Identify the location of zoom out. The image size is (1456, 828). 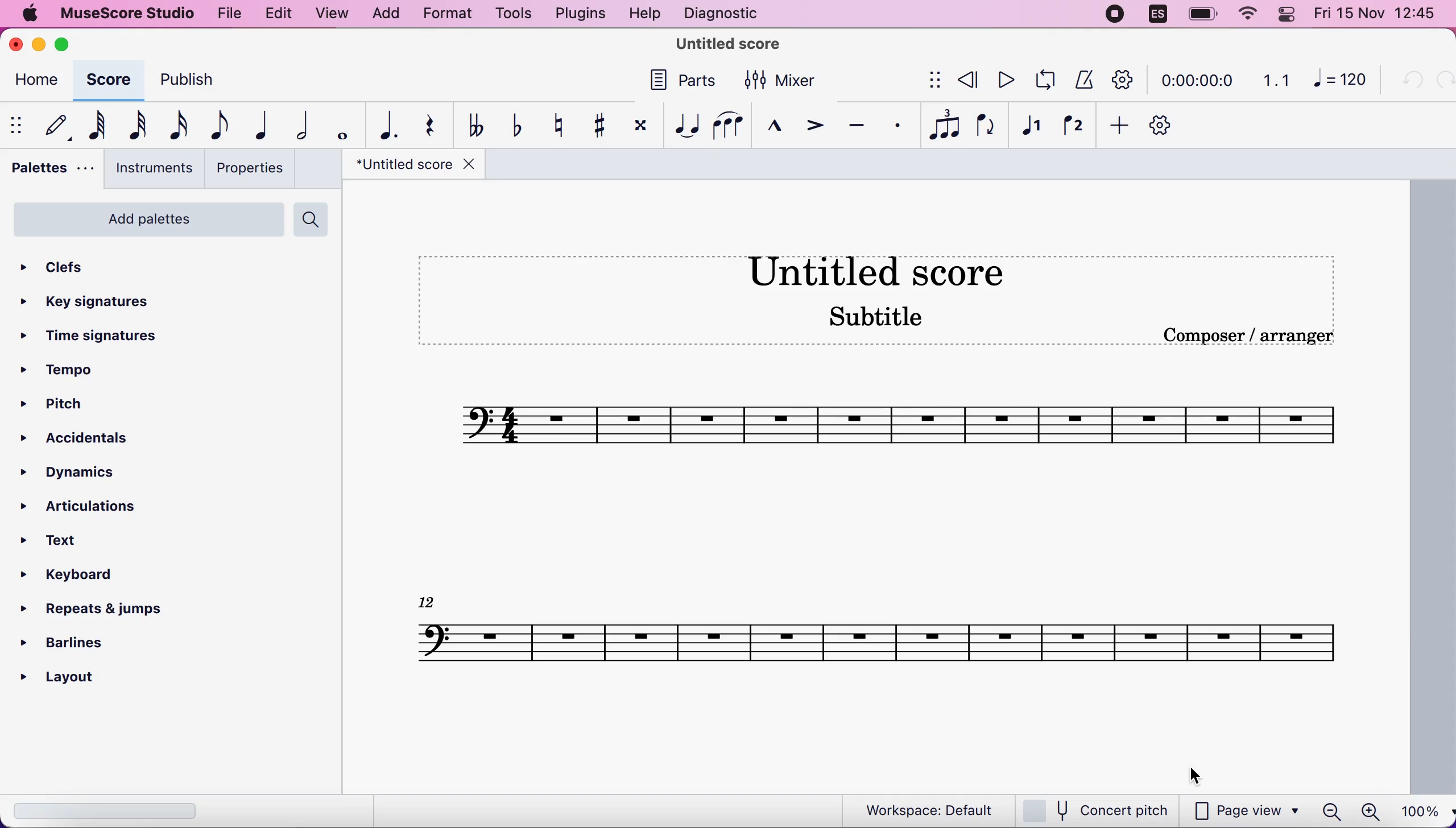
(1330, 812).